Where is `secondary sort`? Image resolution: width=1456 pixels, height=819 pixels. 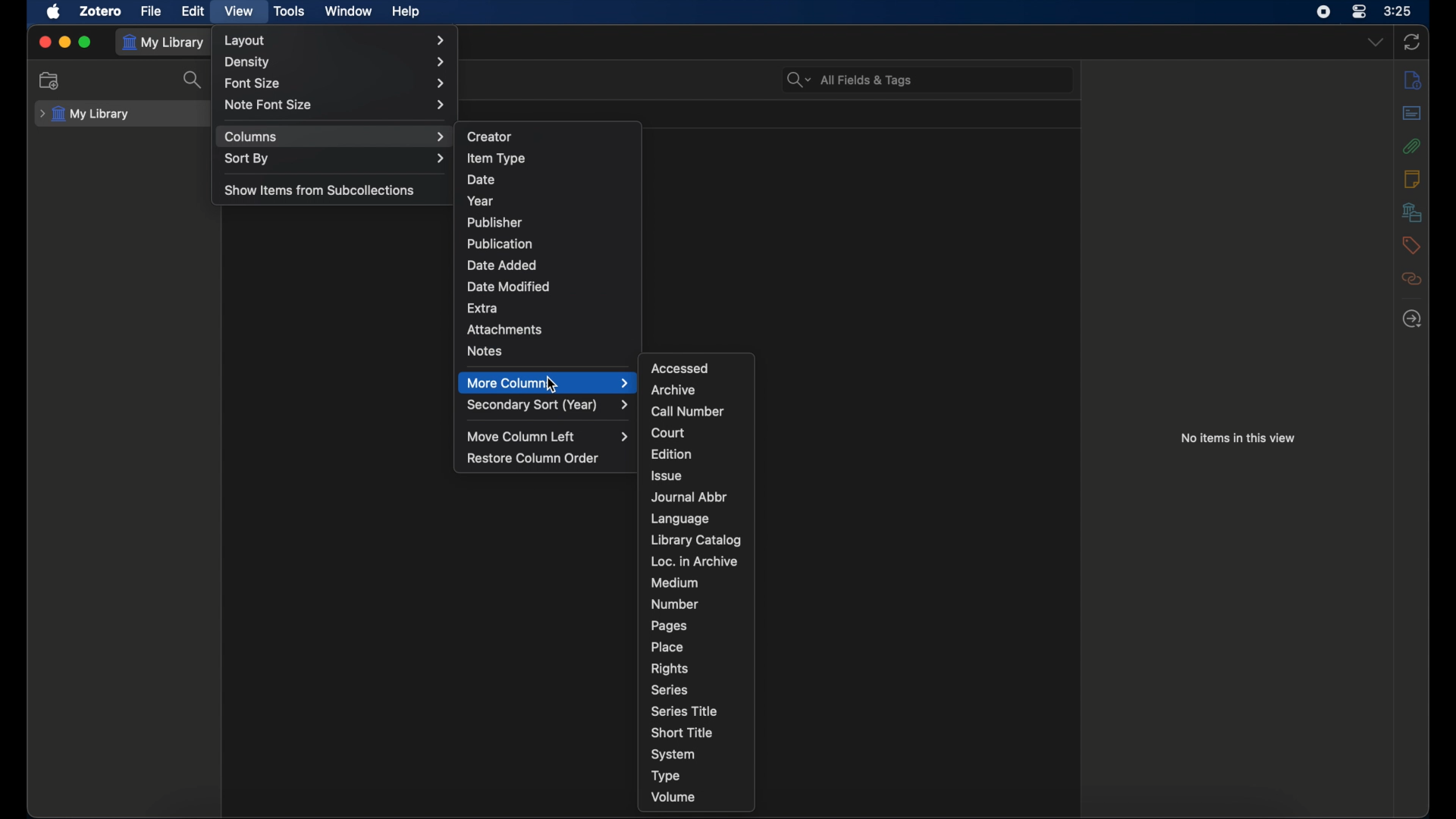 secondary sort is located at coordinates (549, 406).